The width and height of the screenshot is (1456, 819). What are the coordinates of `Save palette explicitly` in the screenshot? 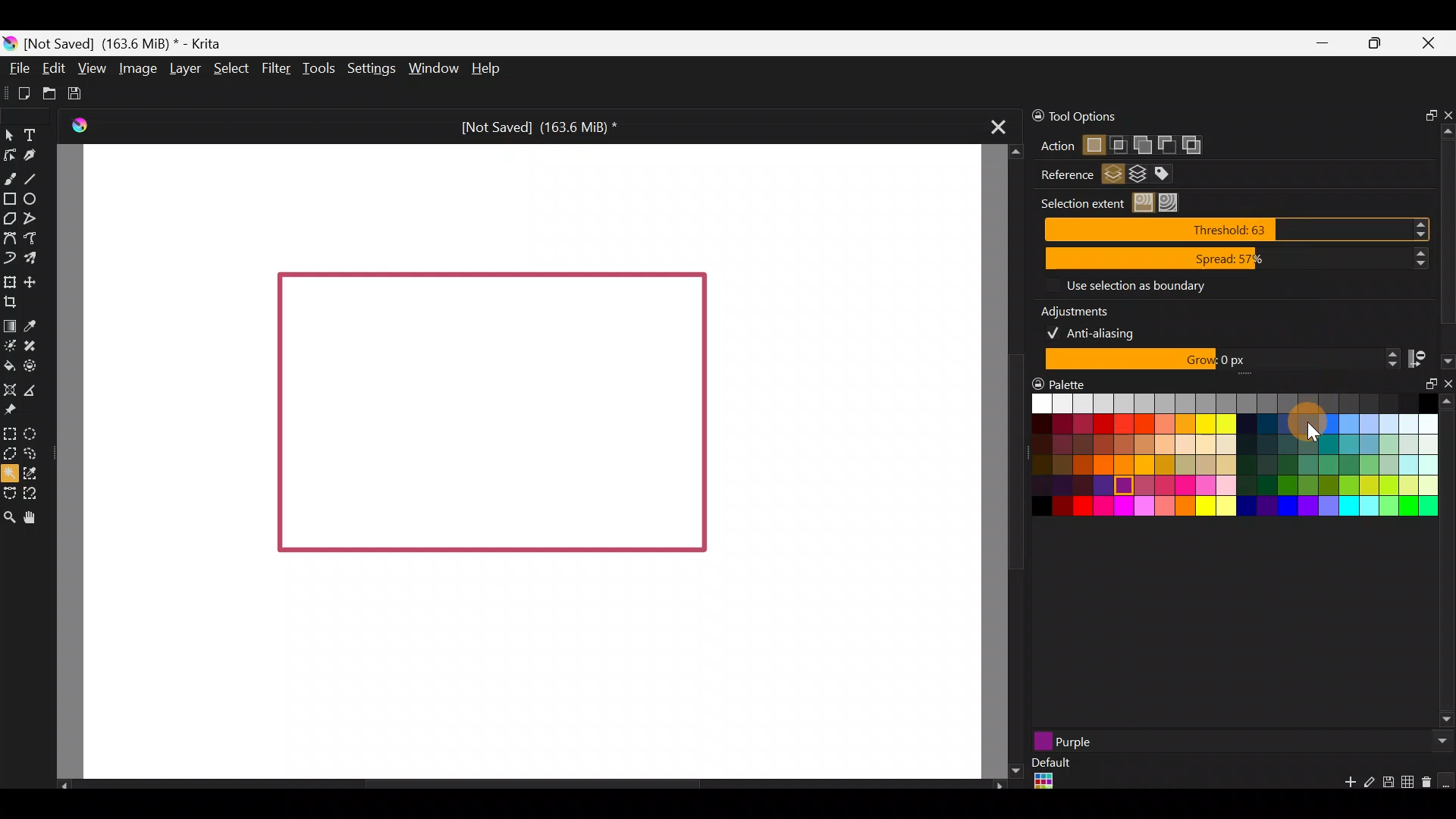 It's located at (1387, 783).